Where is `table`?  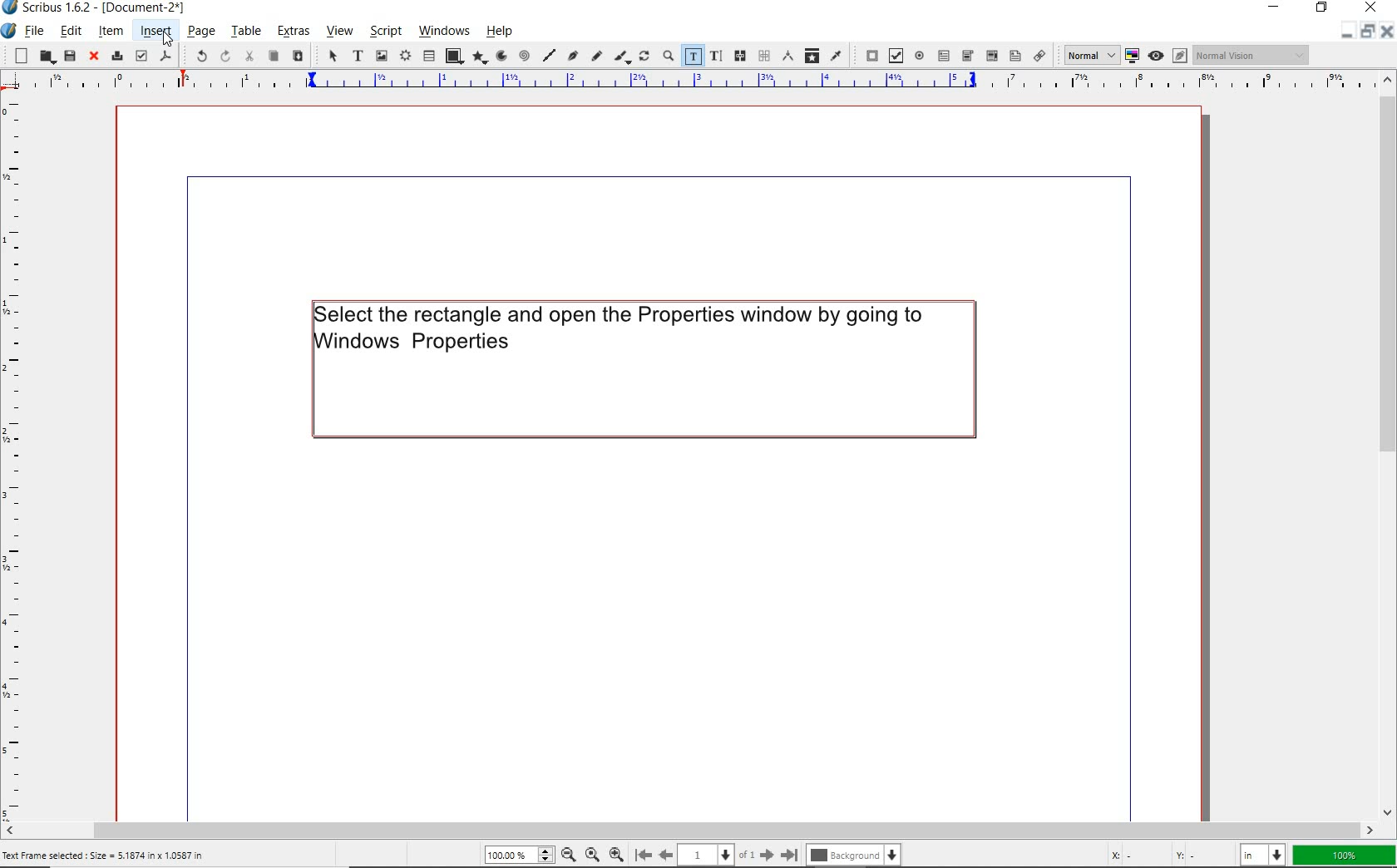 table is located at coordinates (245, 32).